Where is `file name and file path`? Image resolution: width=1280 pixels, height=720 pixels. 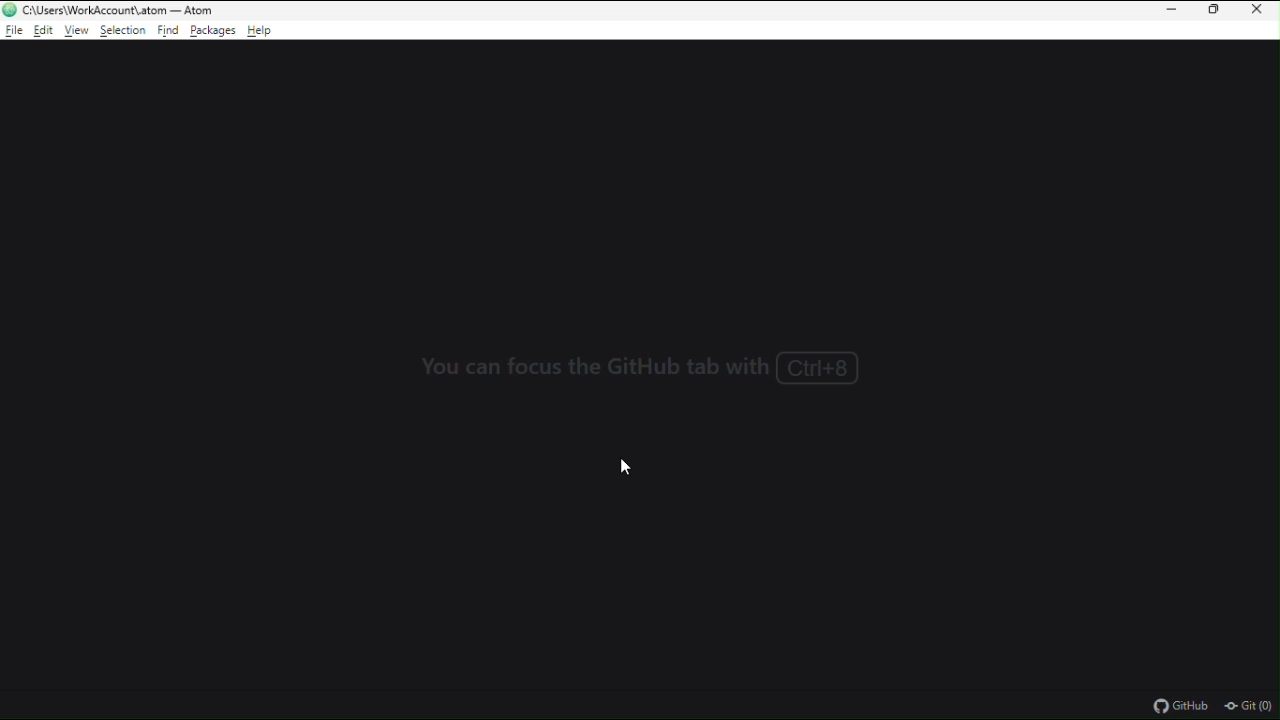
file name and file path is located at coordinates (119, 10).